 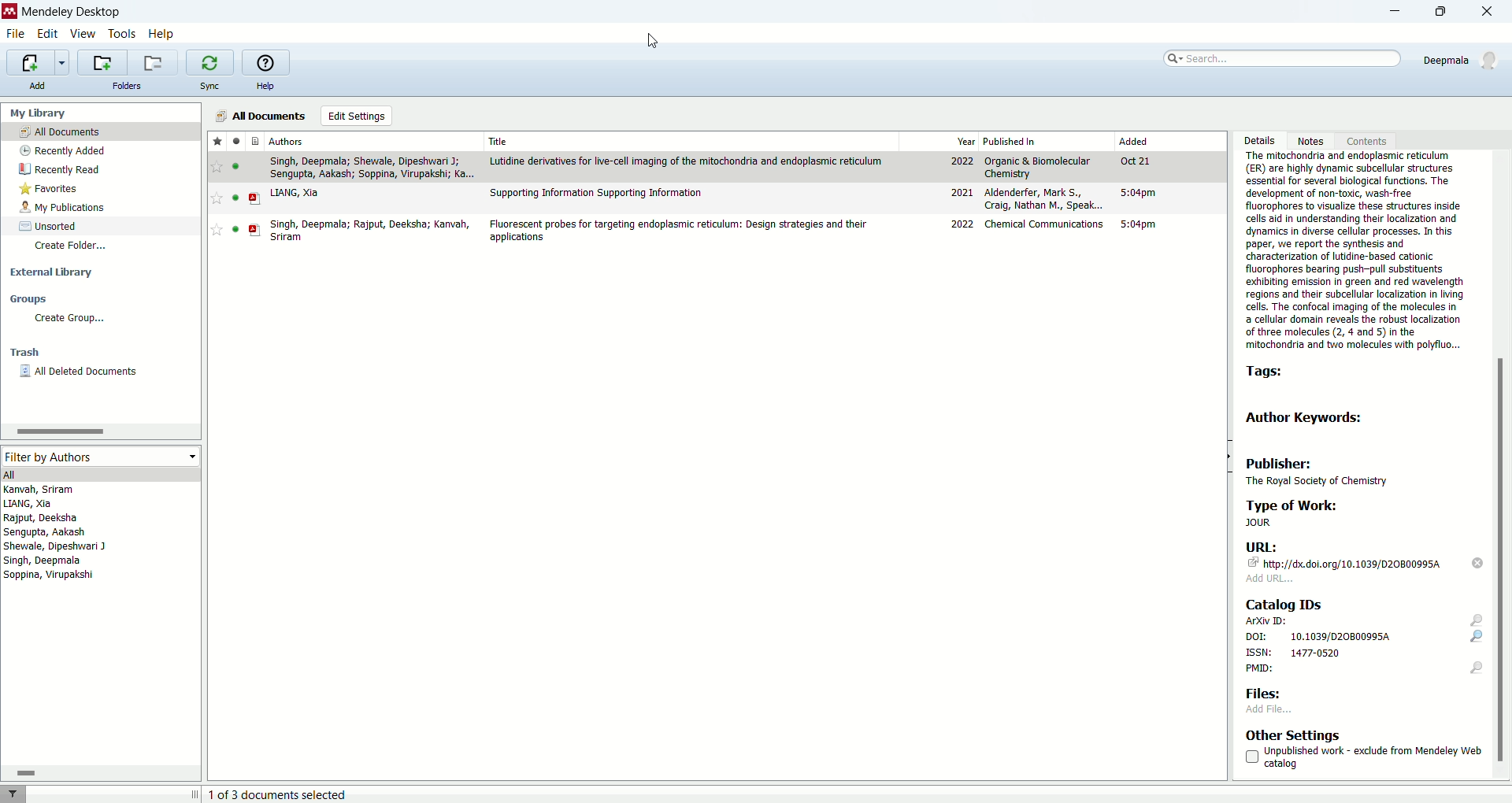 What do you see at coordinates (128, 86) in the screenshot?
I see `folders` at bounding box center [128, 86].